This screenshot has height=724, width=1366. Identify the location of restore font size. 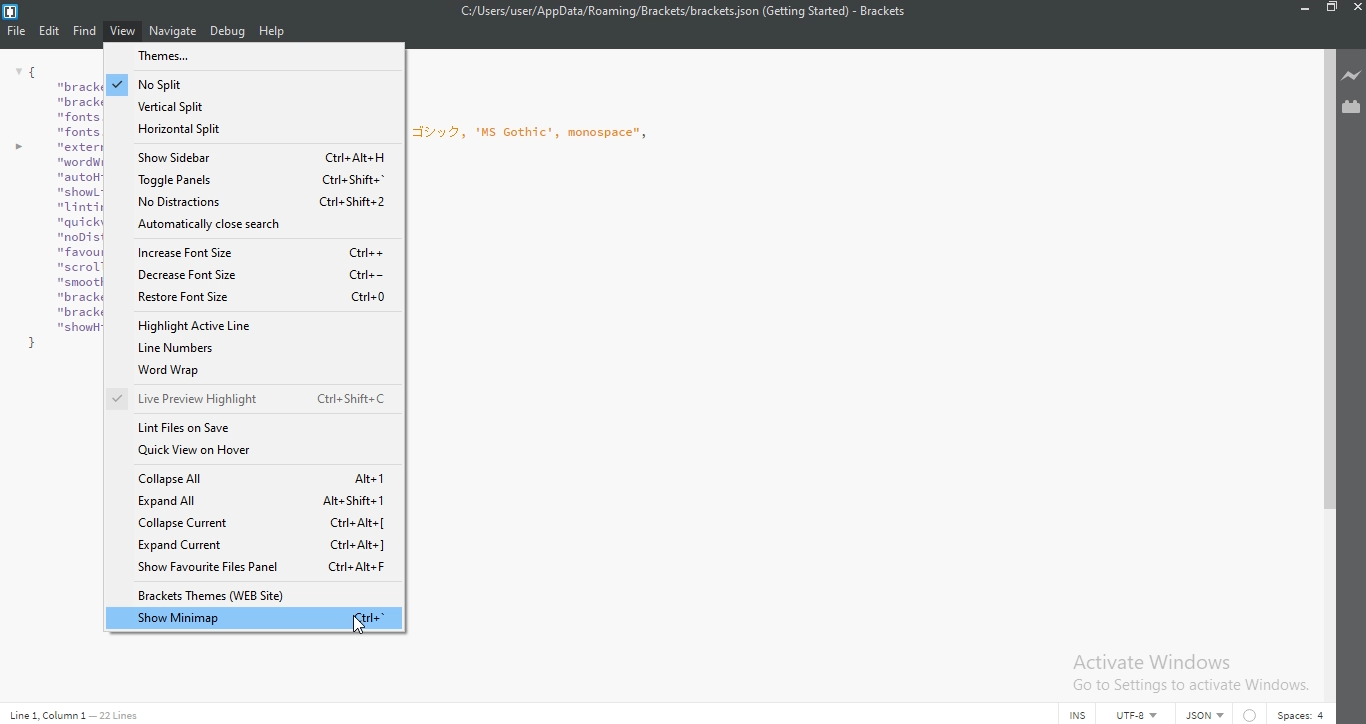
(259, 297).